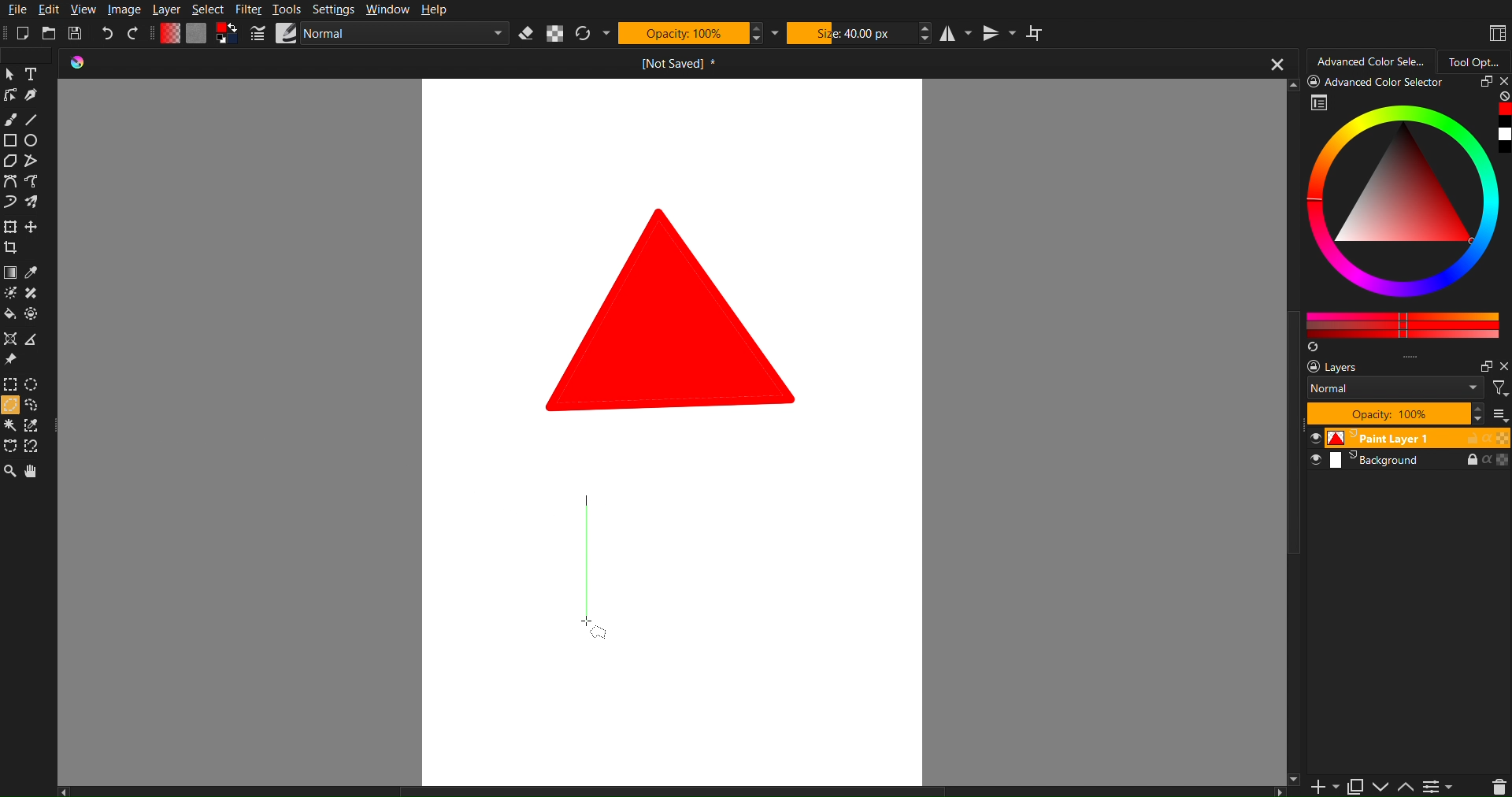  What do you see at coordinates (135, 32) in the screenshot?
I see `Redo` at bounding box center [135, 32].